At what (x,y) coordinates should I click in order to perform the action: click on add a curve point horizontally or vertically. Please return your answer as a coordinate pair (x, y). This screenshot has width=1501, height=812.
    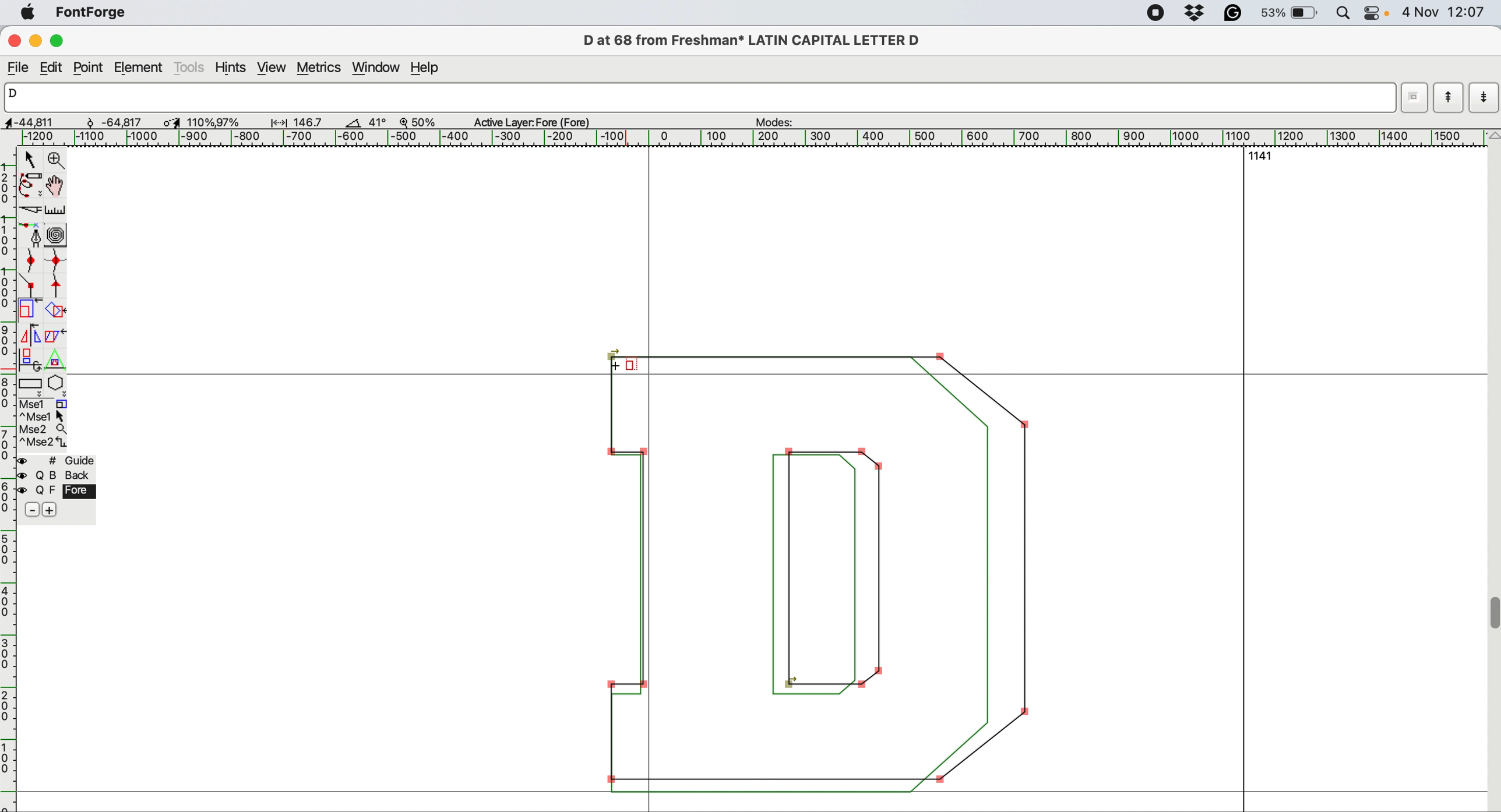
    Looking at the image, I should click on (54, 263).